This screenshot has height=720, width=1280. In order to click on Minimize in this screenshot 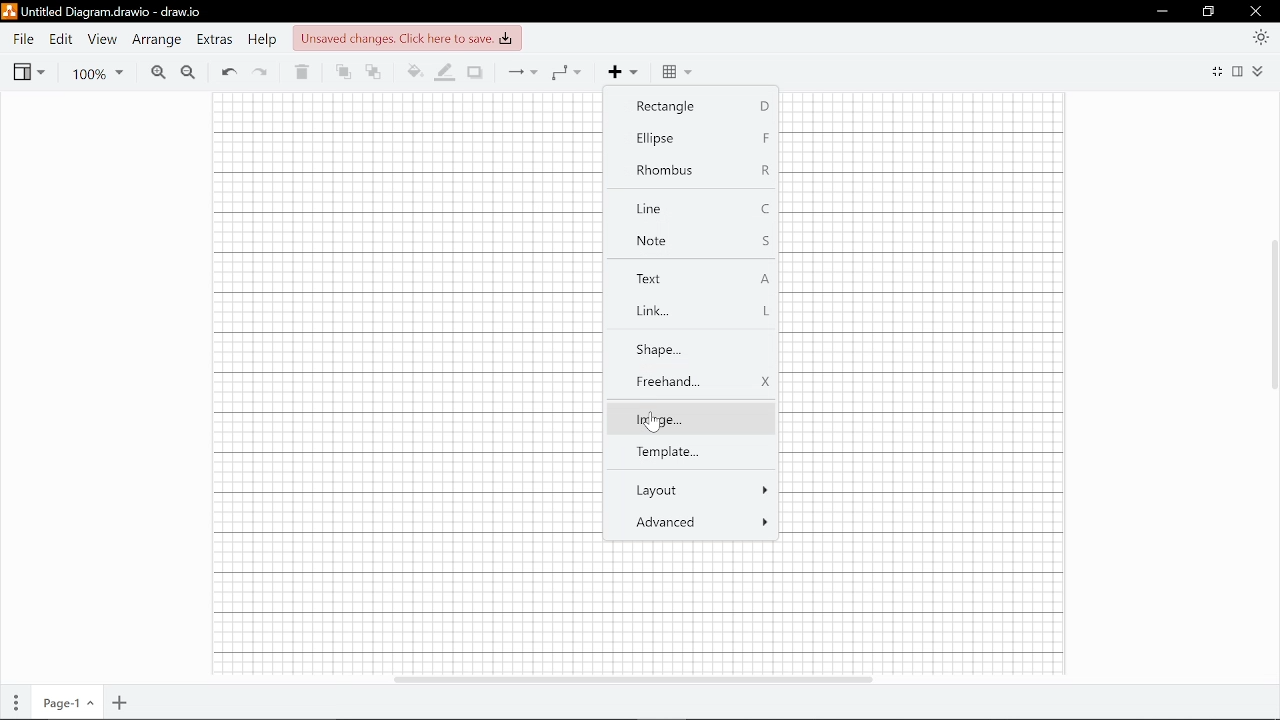, I will do `click(1162, 12)`.